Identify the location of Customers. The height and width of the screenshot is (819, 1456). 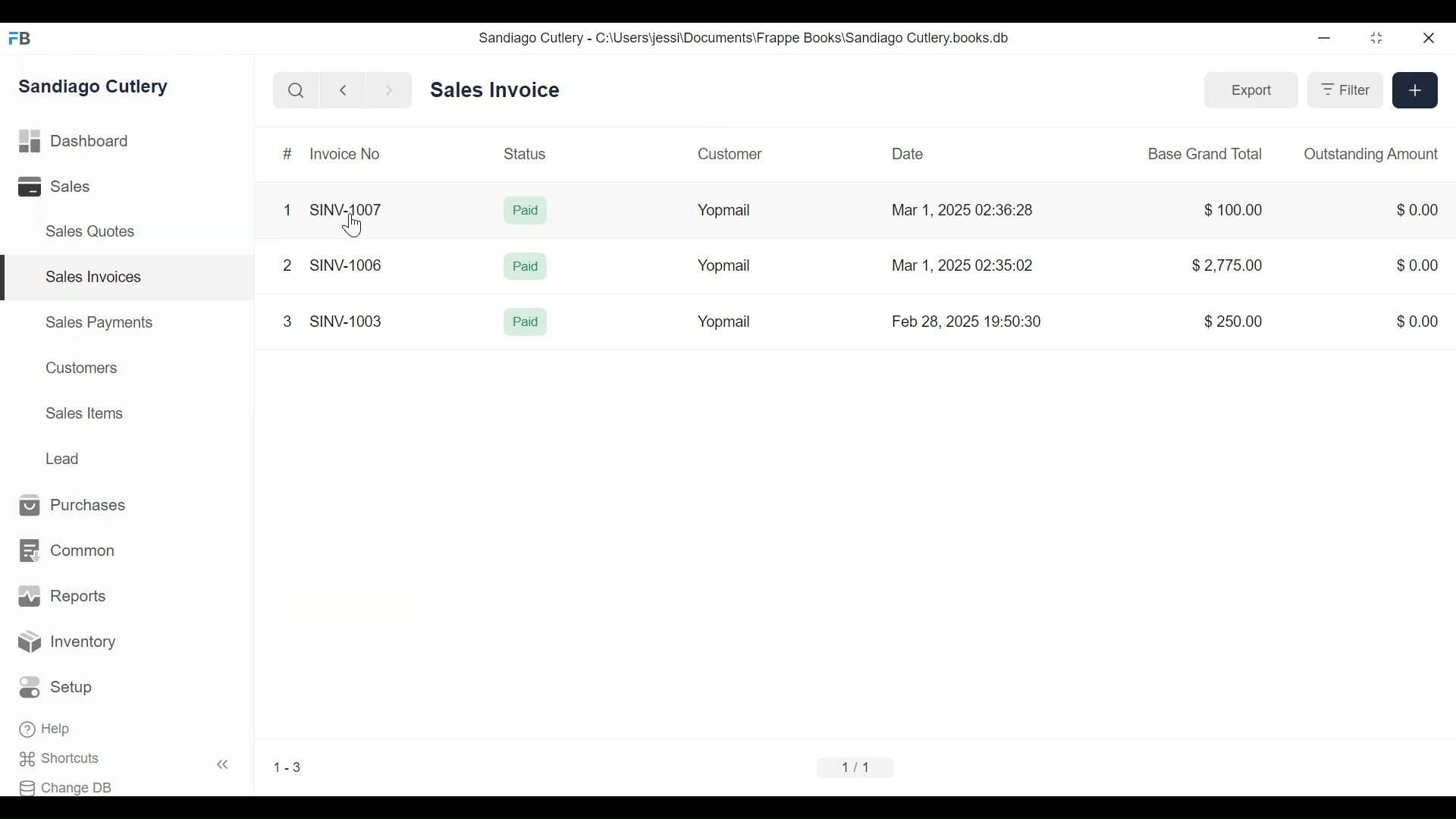
(83, 367).